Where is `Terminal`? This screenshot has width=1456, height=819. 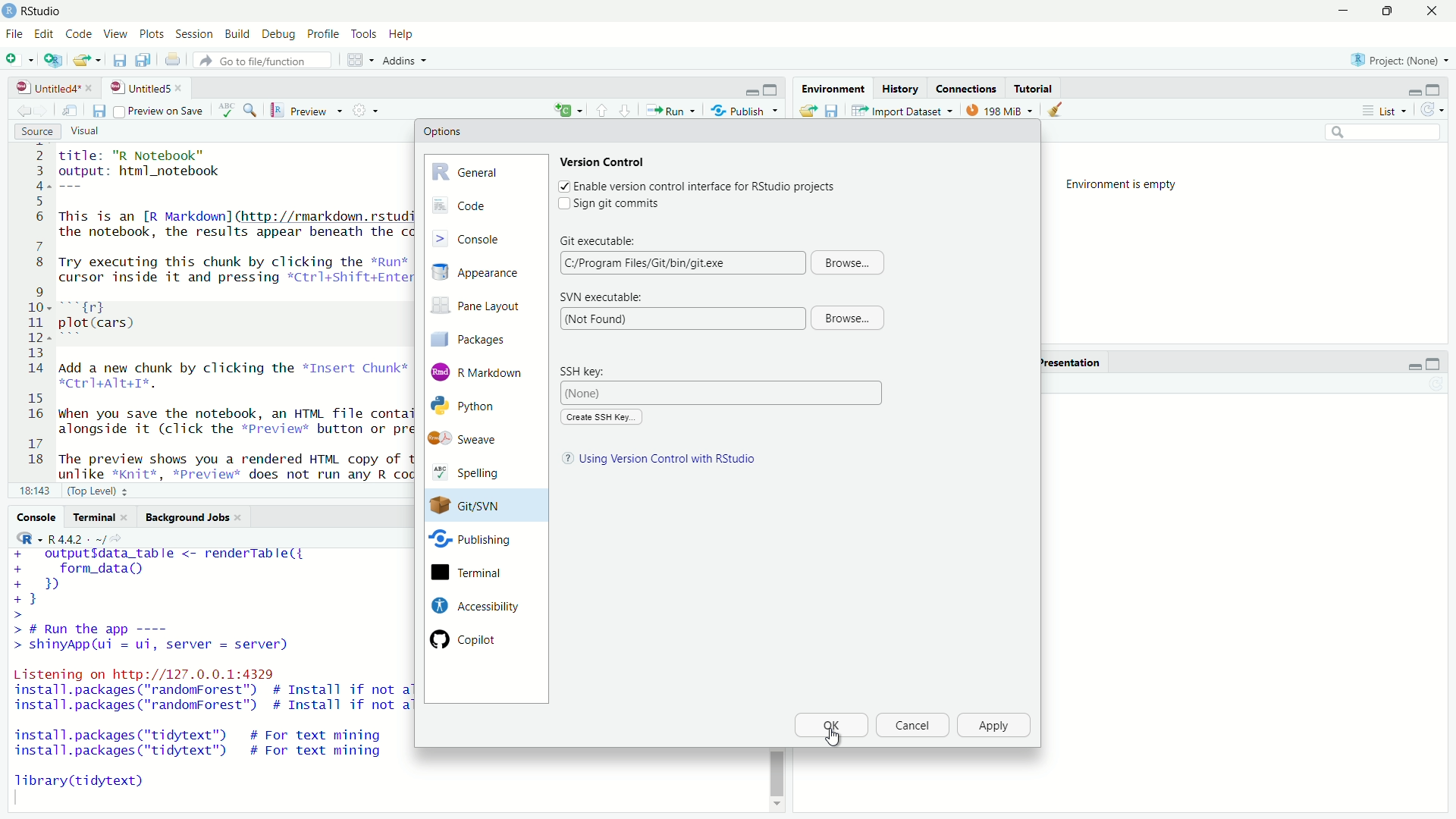
Terminal is located at coordinates (472, 573).